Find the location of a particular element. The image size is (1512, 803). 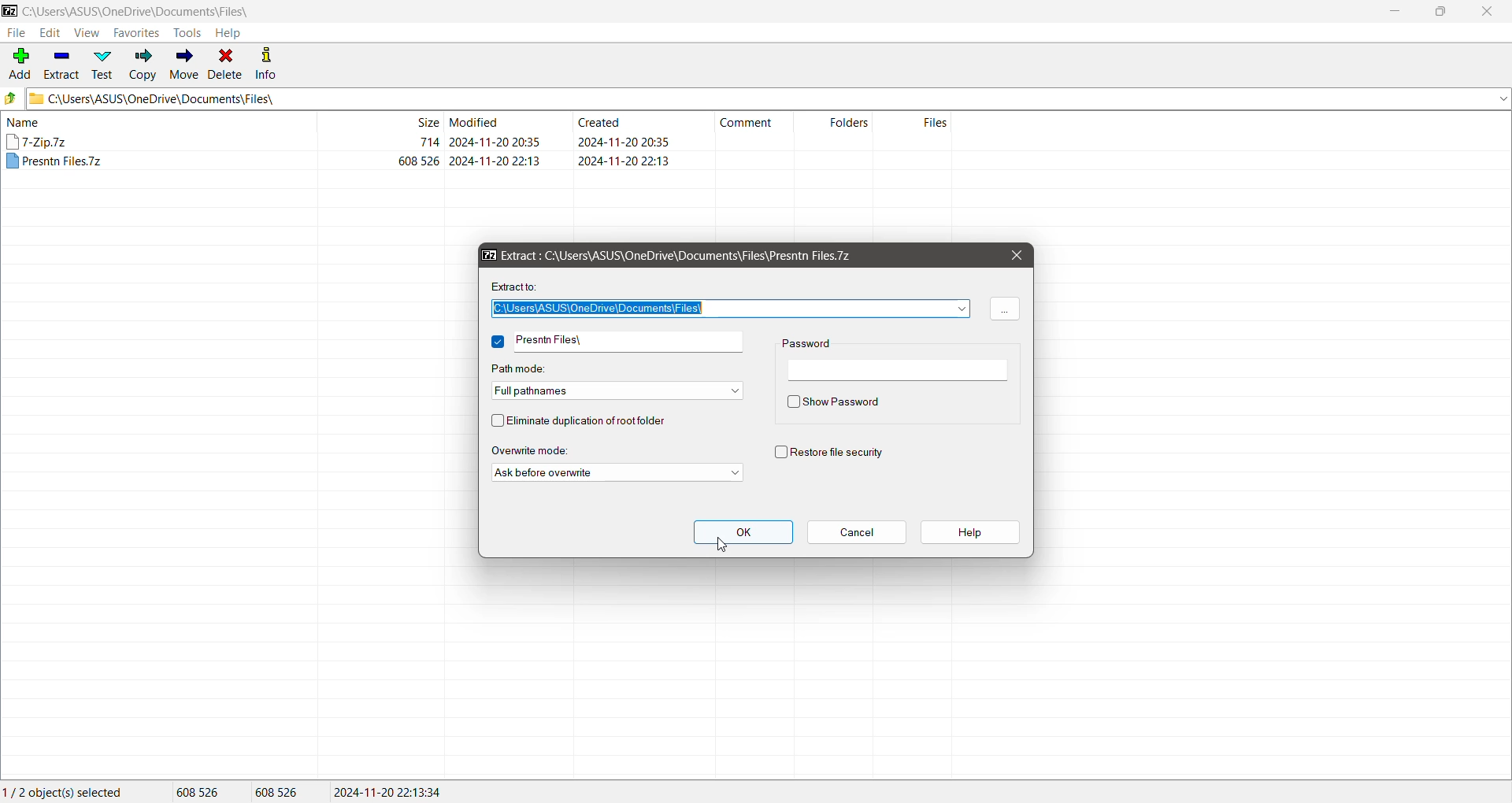

Restore file security - click to enabe/disable is located at coordinates (838, 451).